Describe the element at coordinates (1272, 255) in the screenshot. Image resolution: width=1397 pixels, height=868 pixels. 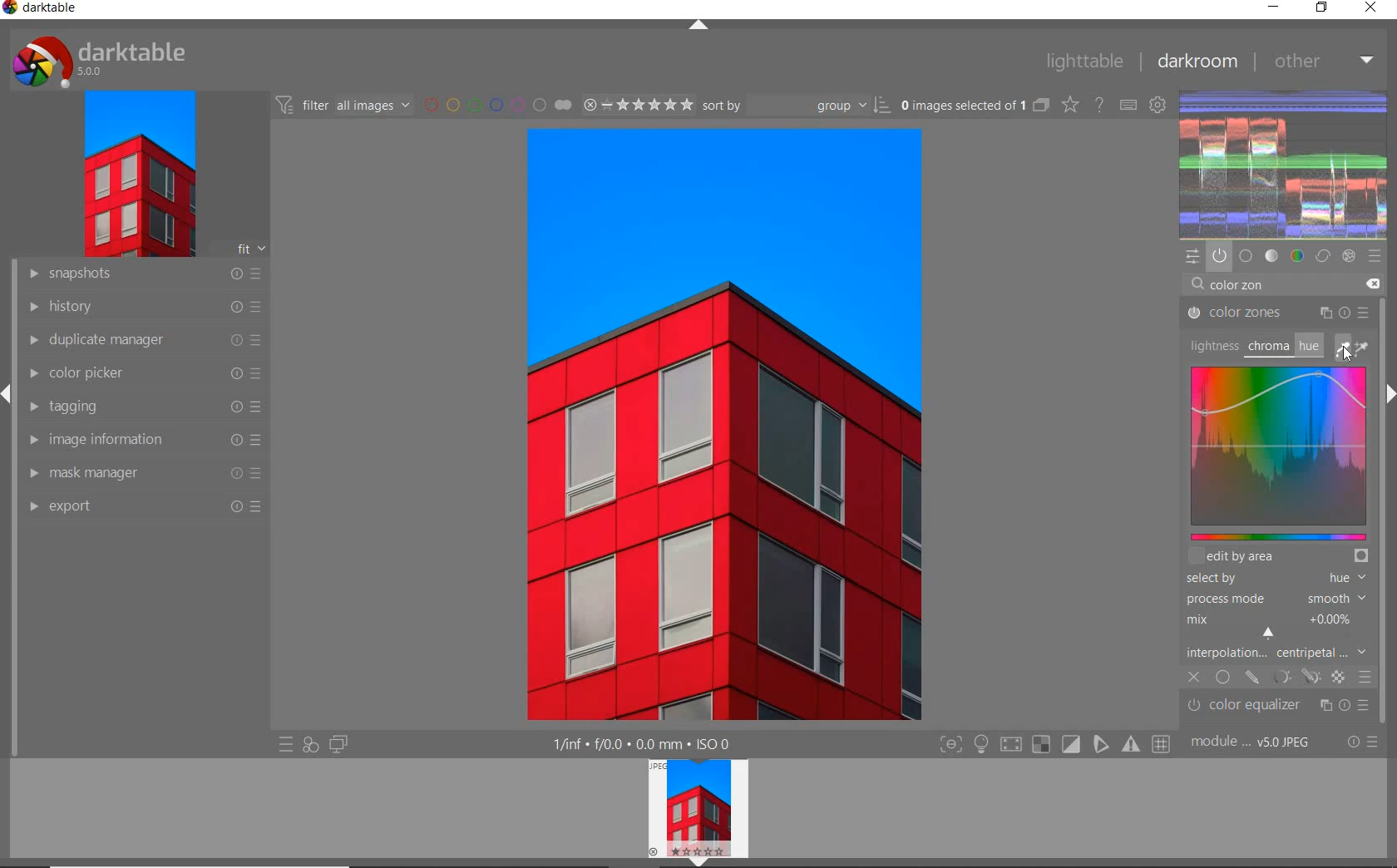
I see `tone` at that location.